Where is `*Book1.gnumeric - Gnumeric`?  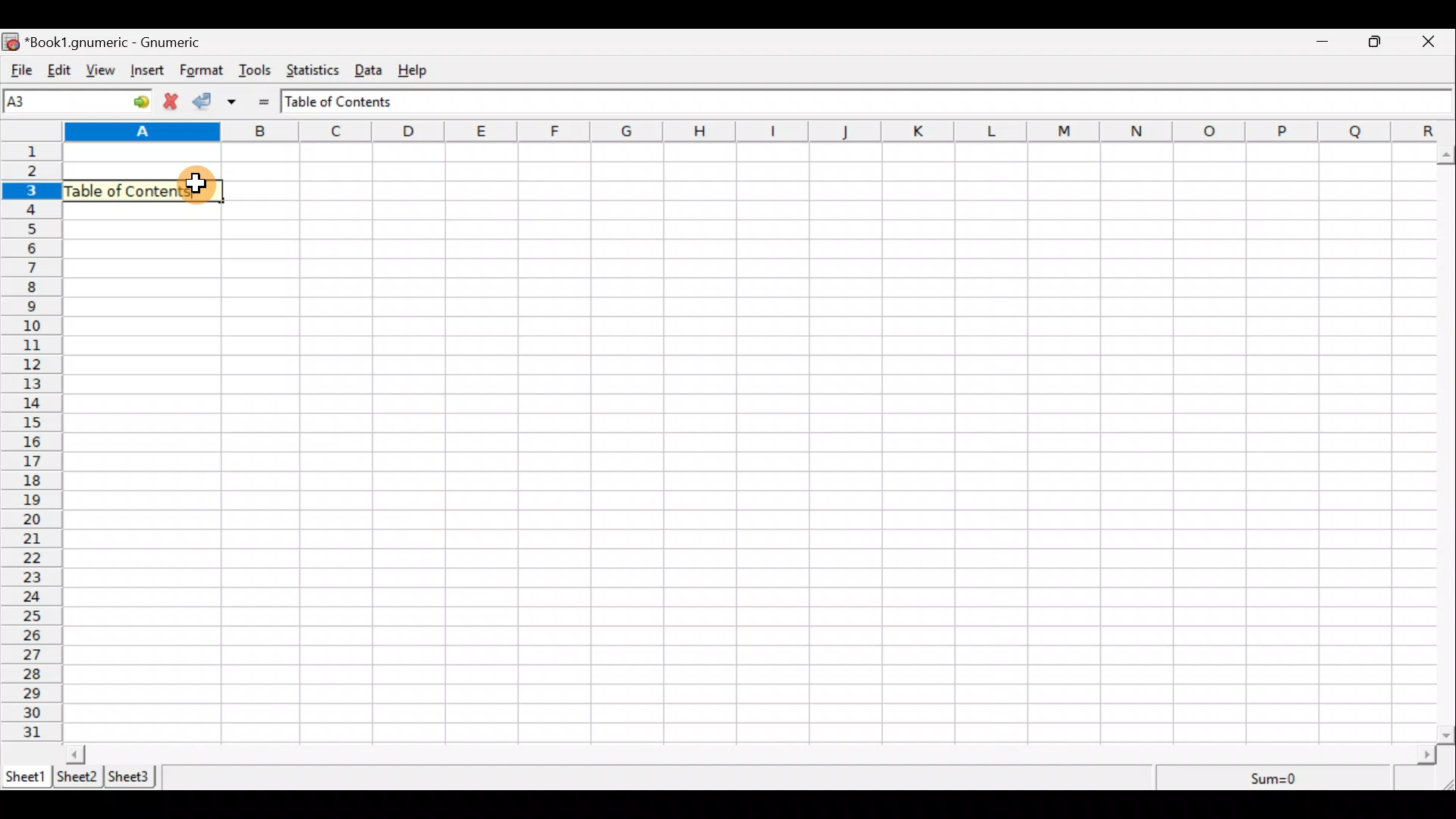 *Book1.gnumeric - Gnumeric is located at coordinates (118, 43).